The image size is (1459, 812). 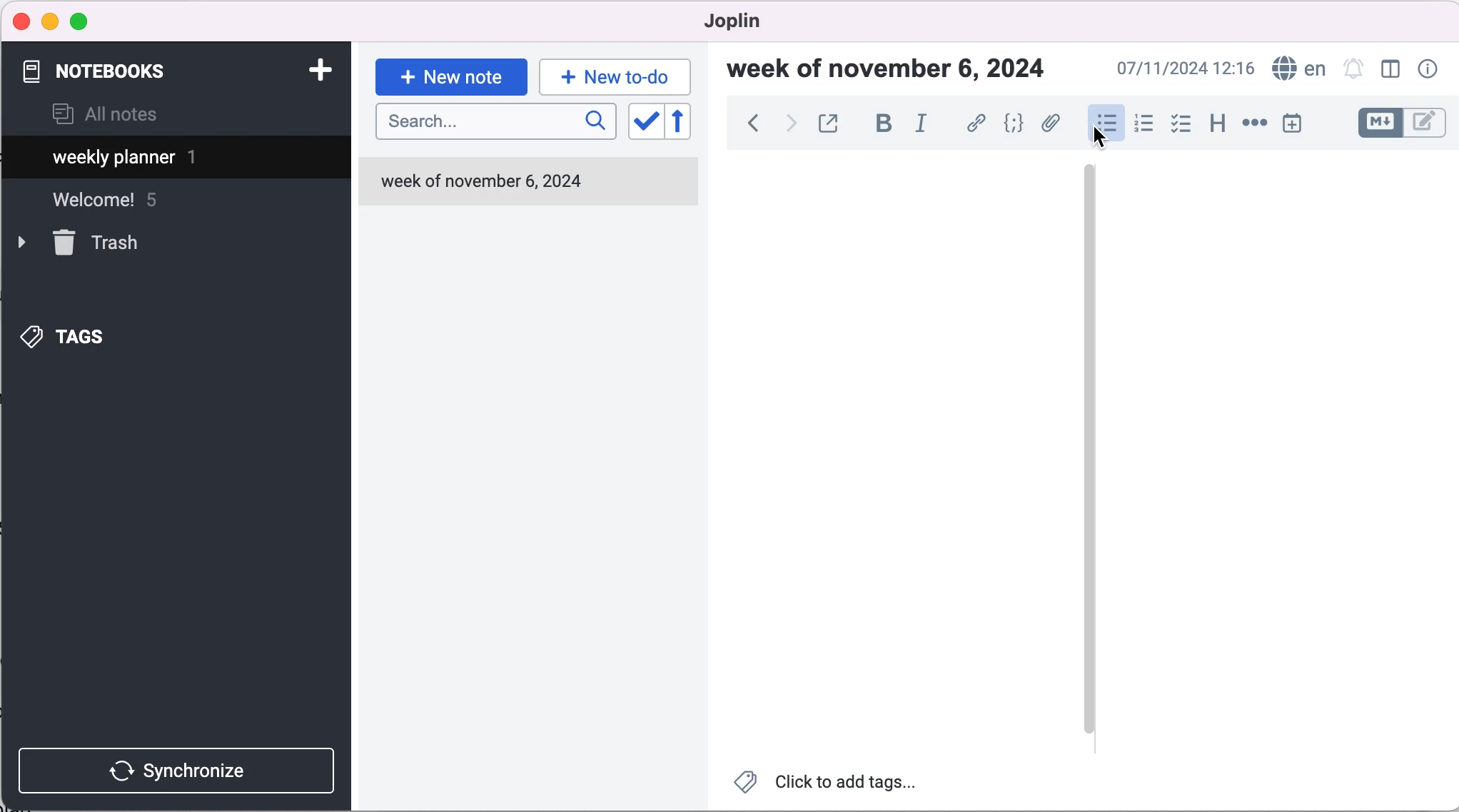 What do you see at coordinates (82, 22) in the screenshot?
I see `maximize` at bounding box center [82, 22].